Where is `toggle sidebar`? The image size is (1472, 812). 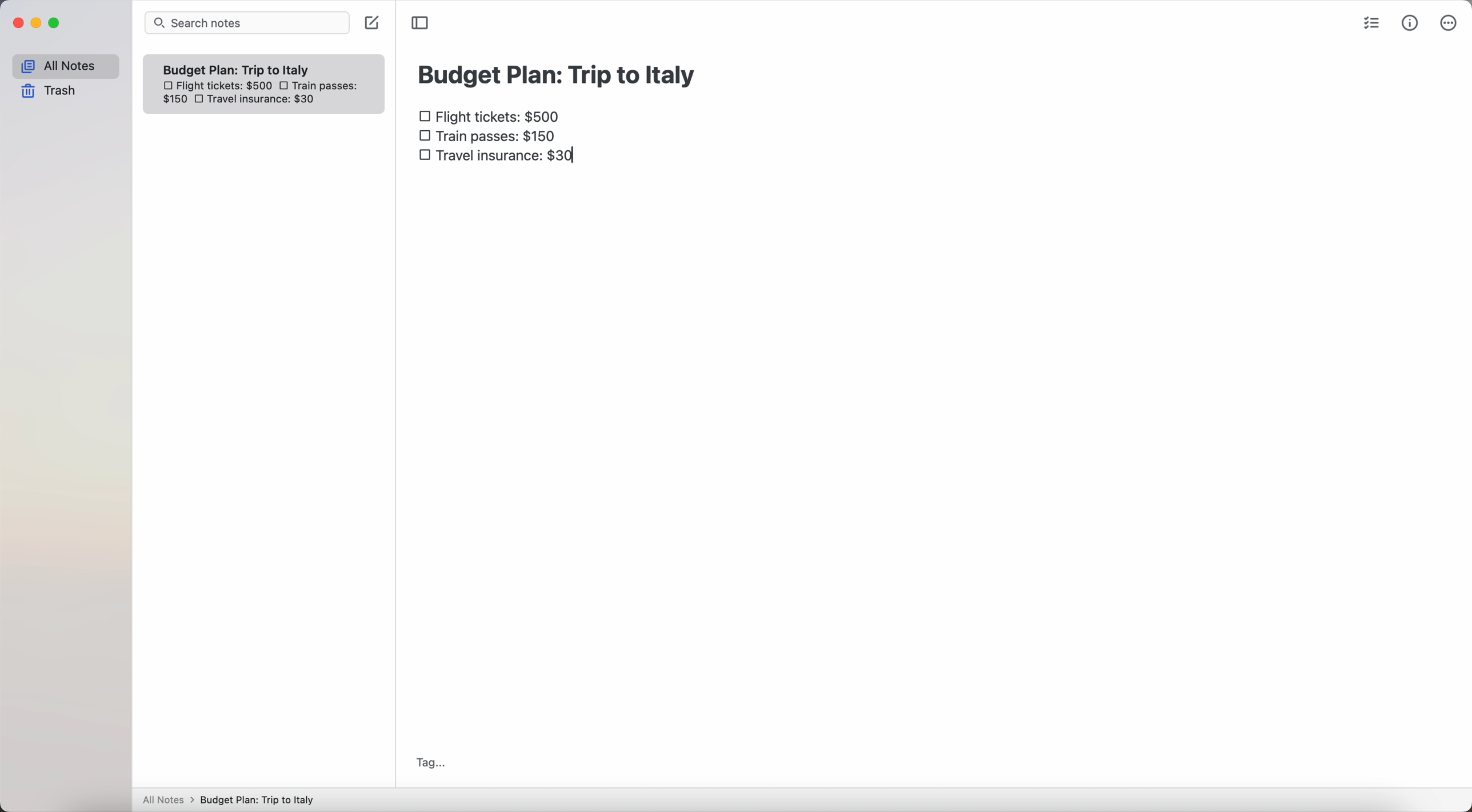 toggle sidebar is located at coordinates (421, 22).